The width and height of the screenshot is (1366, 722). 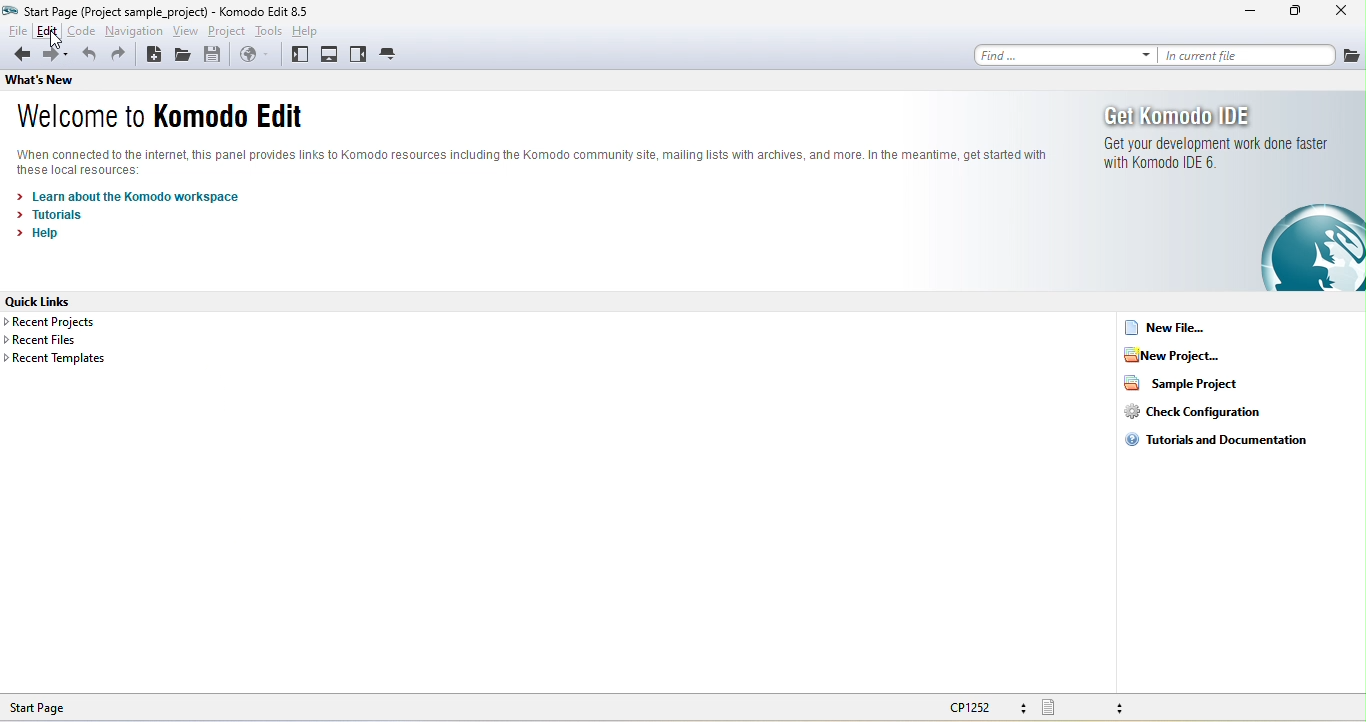 What do you see at coordinates (183, 55) in the screenshot?
I see `open` at bounding box center [183, 55].